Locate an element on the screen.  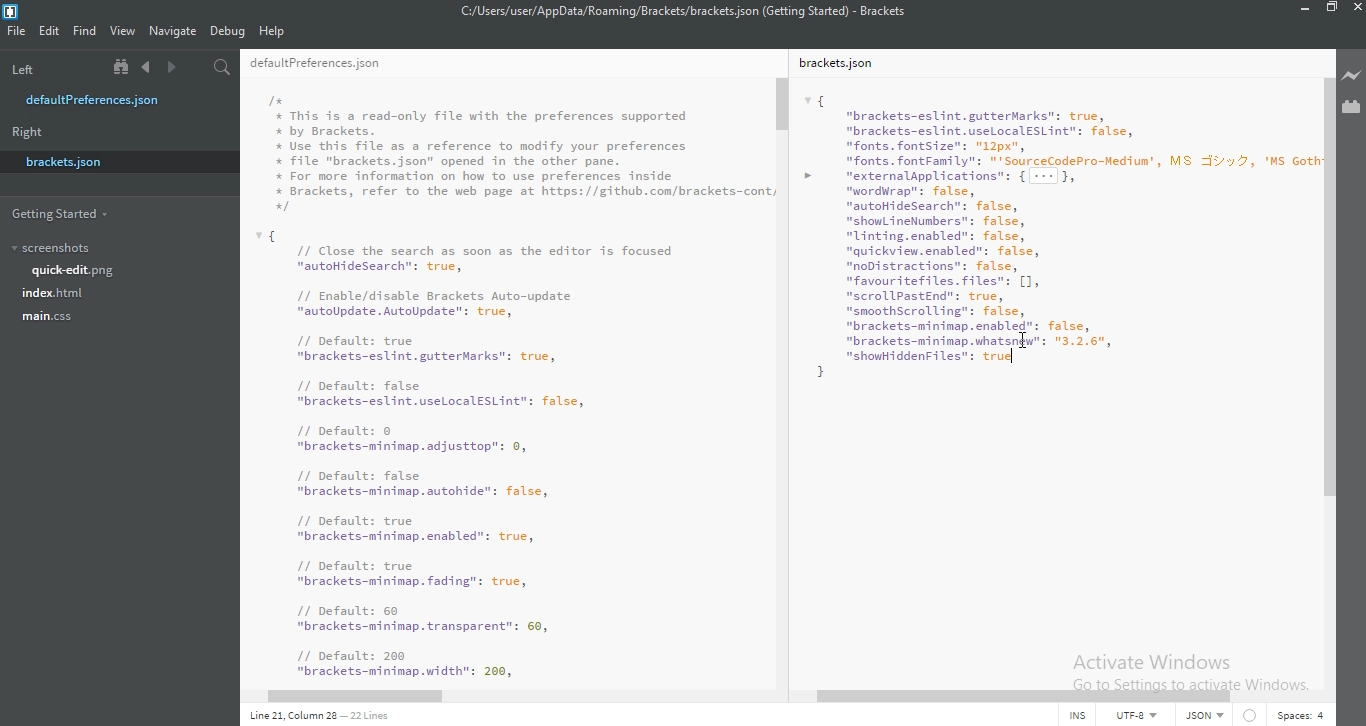
close is located at coordinates (1356, 12).